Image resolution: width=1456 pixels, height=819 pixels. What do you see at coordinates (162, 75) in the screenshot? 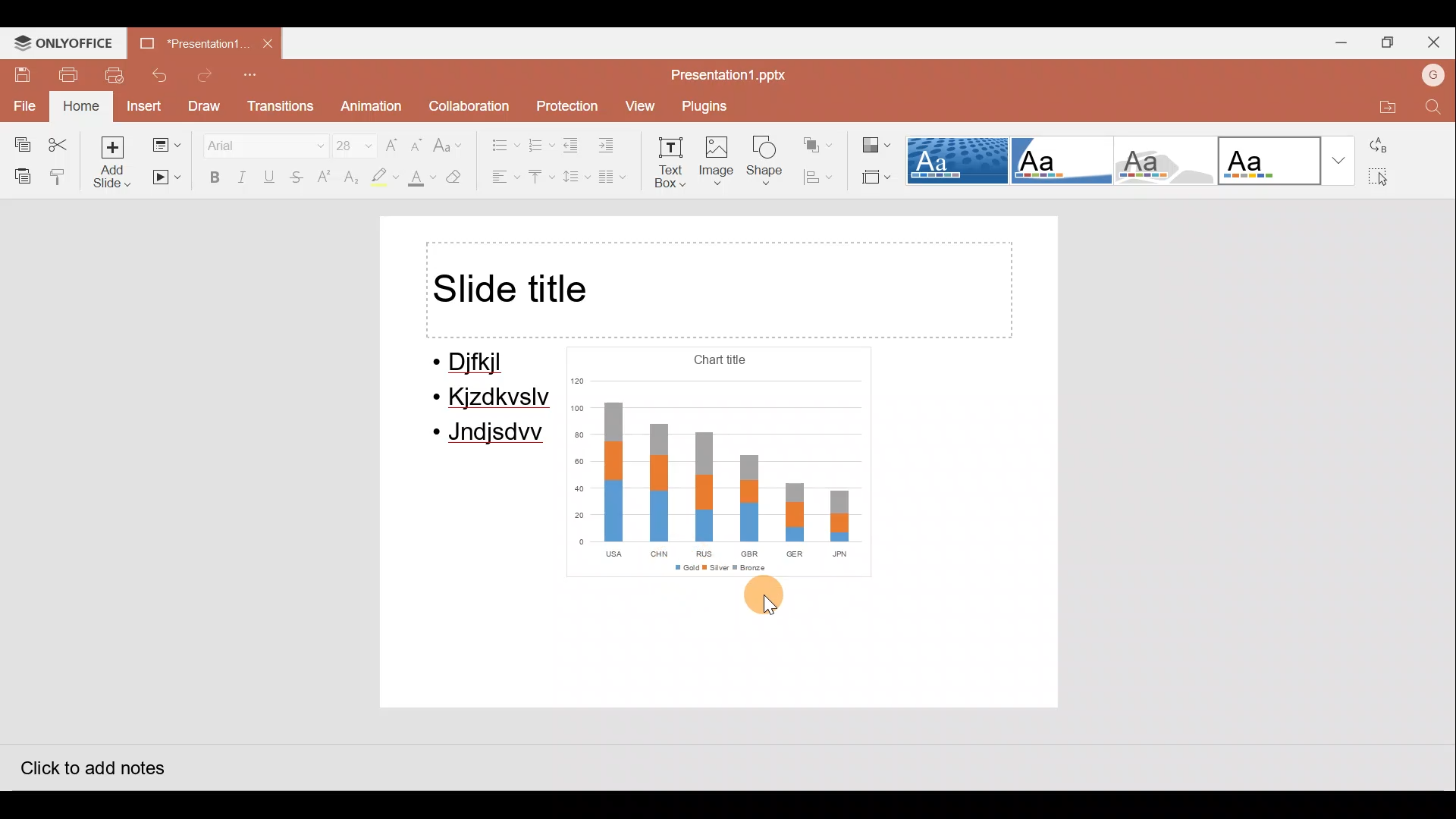
I see `Undo` at bounding box center [162, 75].